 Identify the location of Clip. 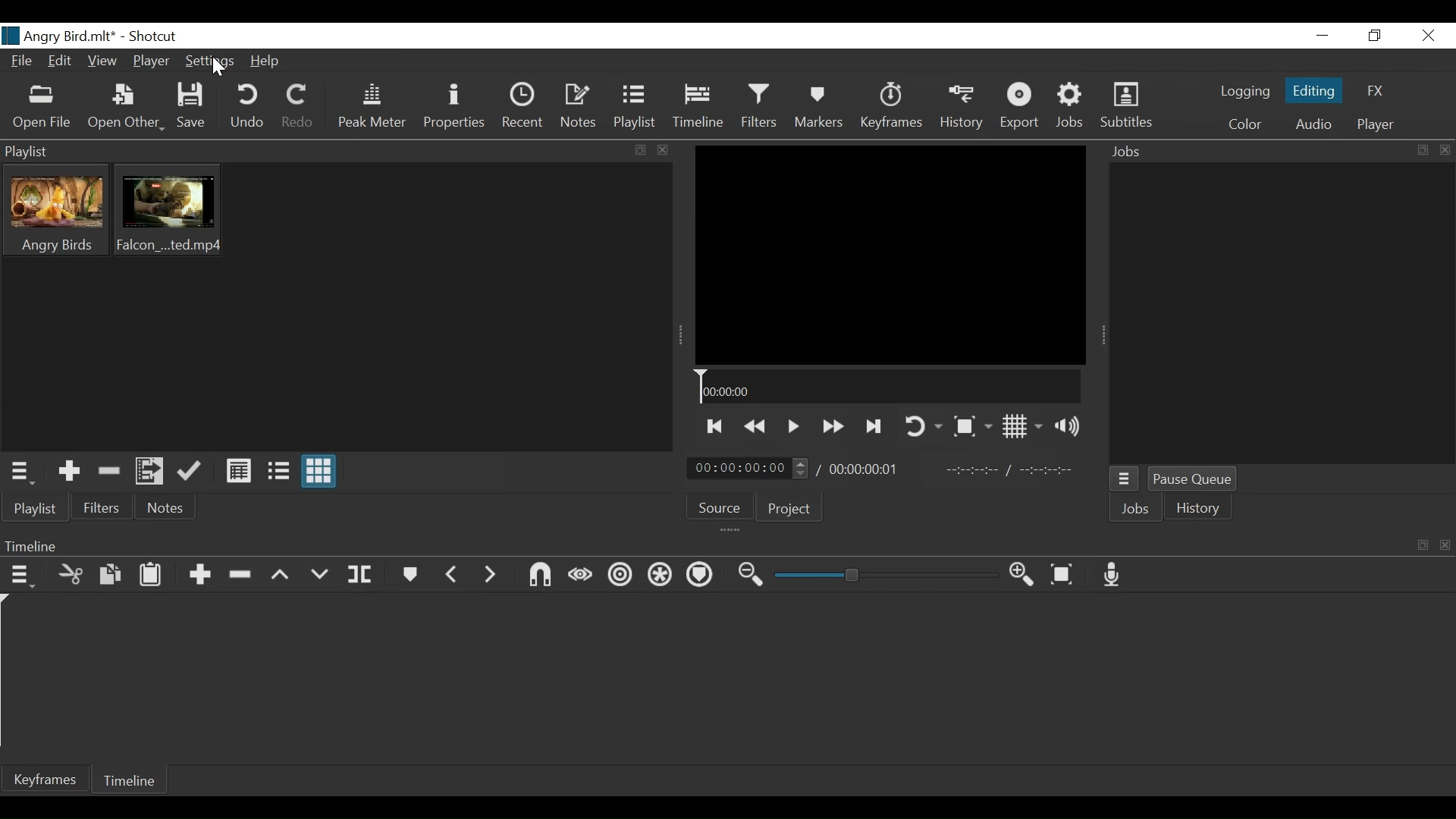
(168, 211).